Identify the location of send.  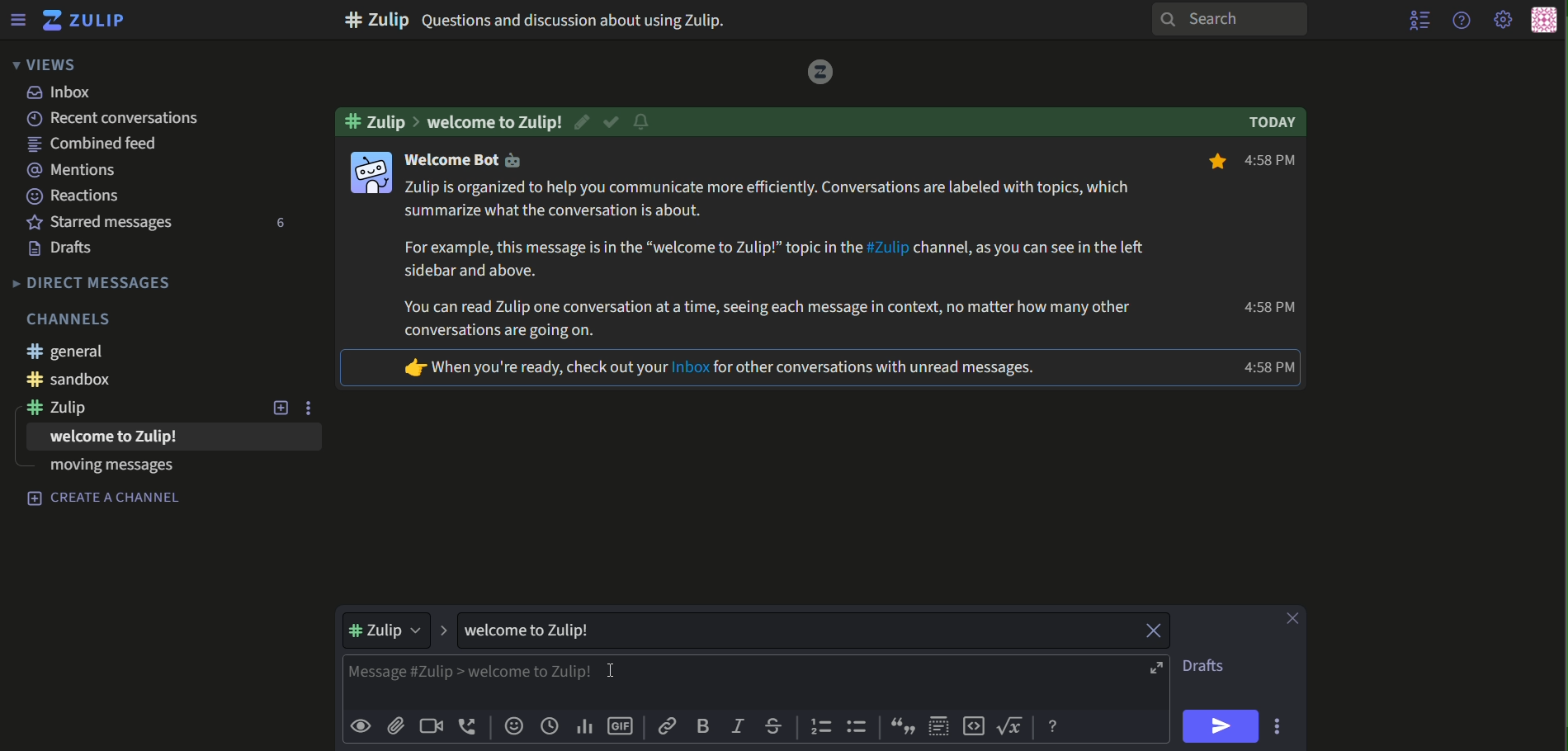
(1222, 726).